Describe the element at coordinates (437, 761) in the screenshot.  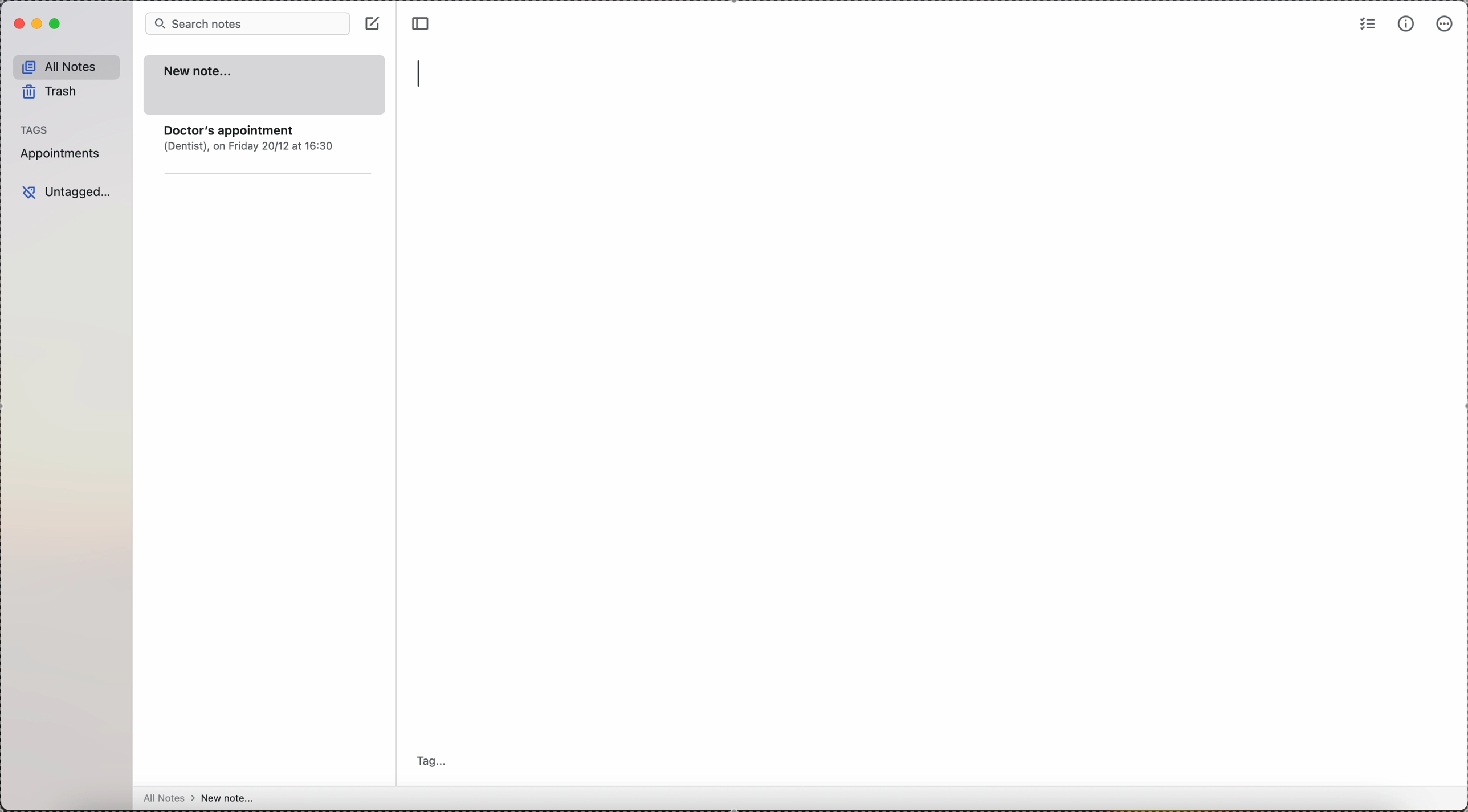
I see `tag` at that location.